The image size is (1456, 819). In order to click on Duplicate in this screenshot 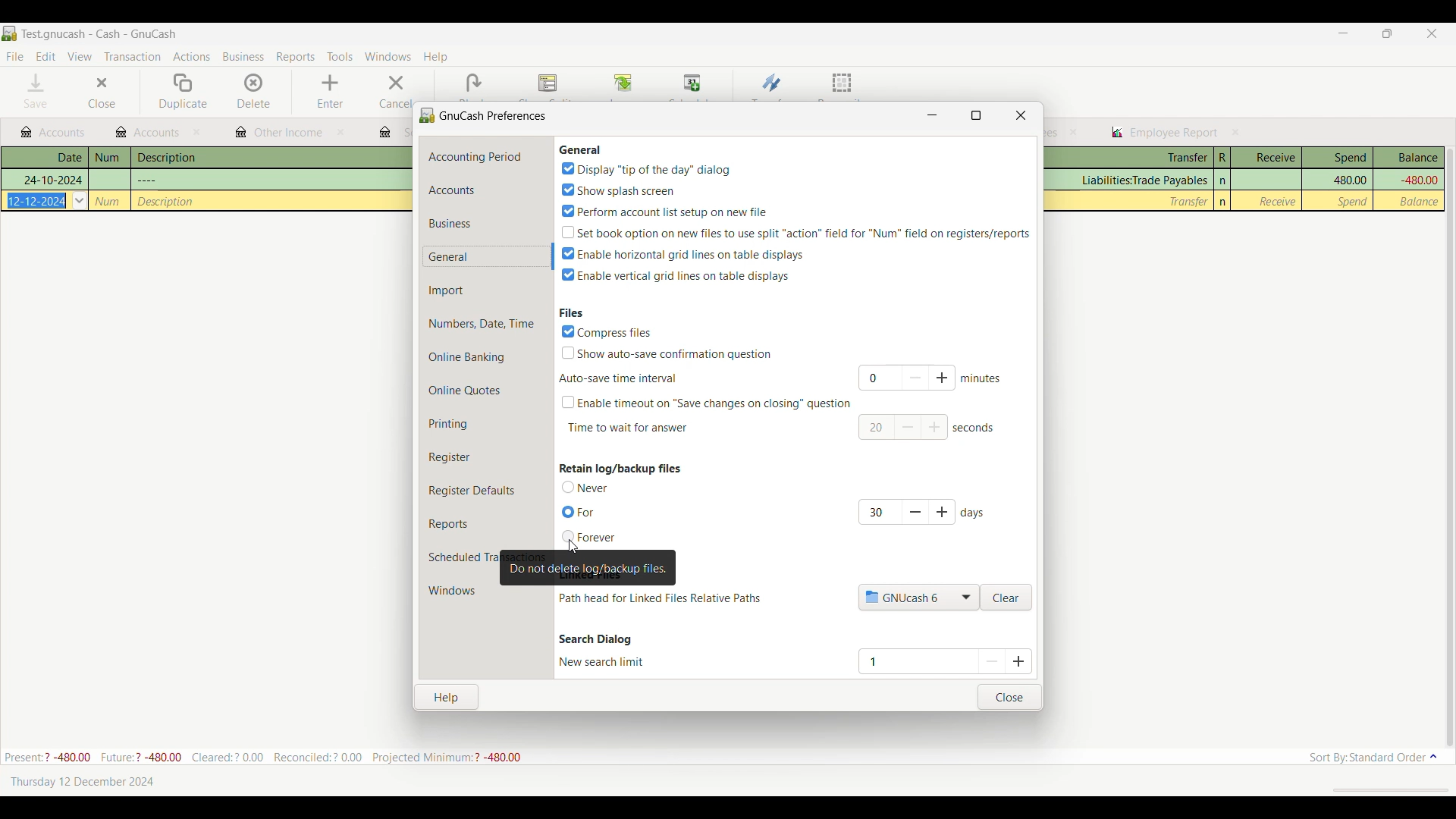, I will do `click(183, 92)`.